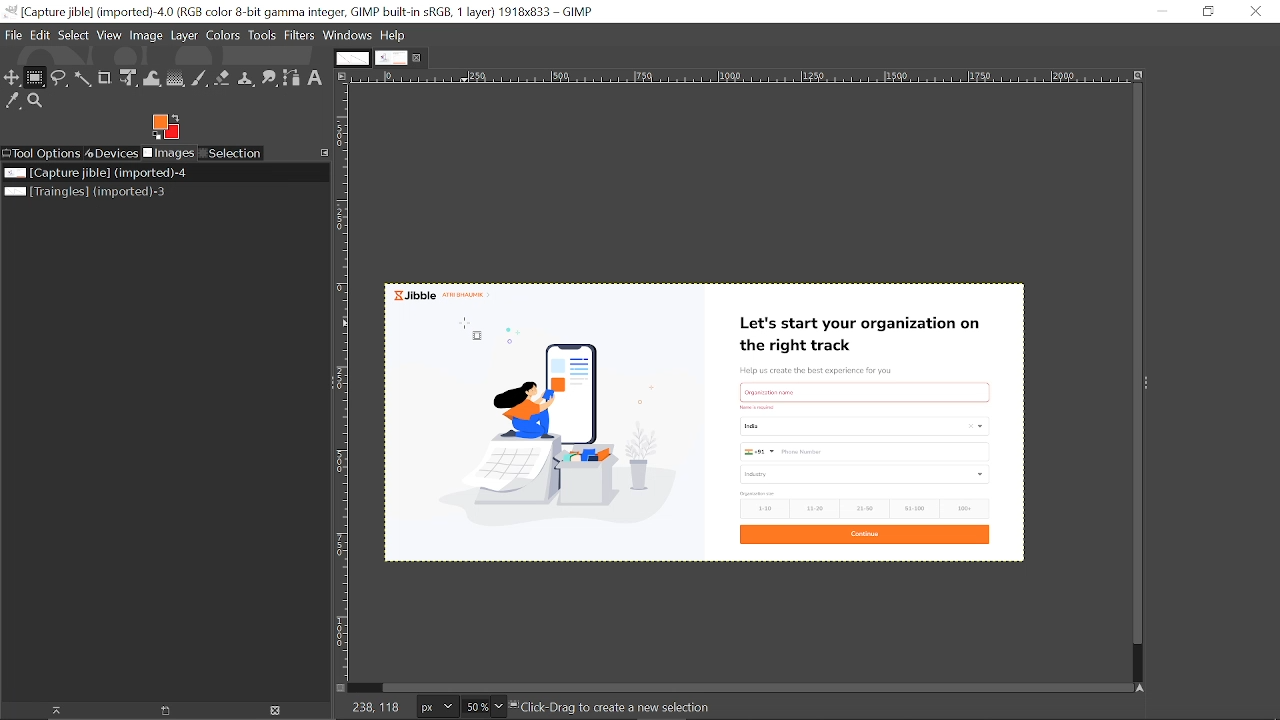  What do you see at coordinates (1131, 363) in the screenshot?
I see `Vertical scrollbar ` at bounding box center [1131, 363].